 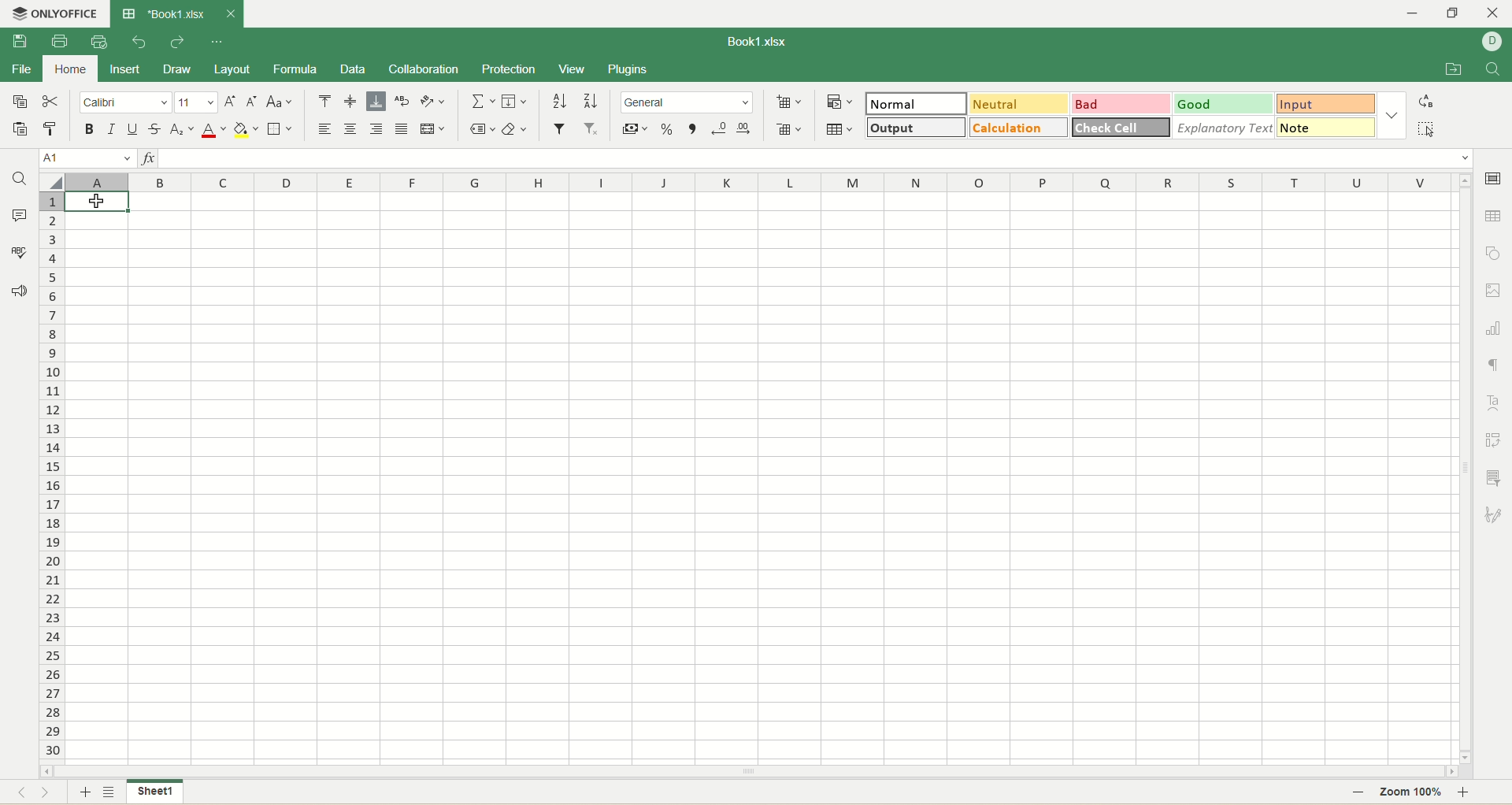 I want to click on input line, so click(x=819, y=159).